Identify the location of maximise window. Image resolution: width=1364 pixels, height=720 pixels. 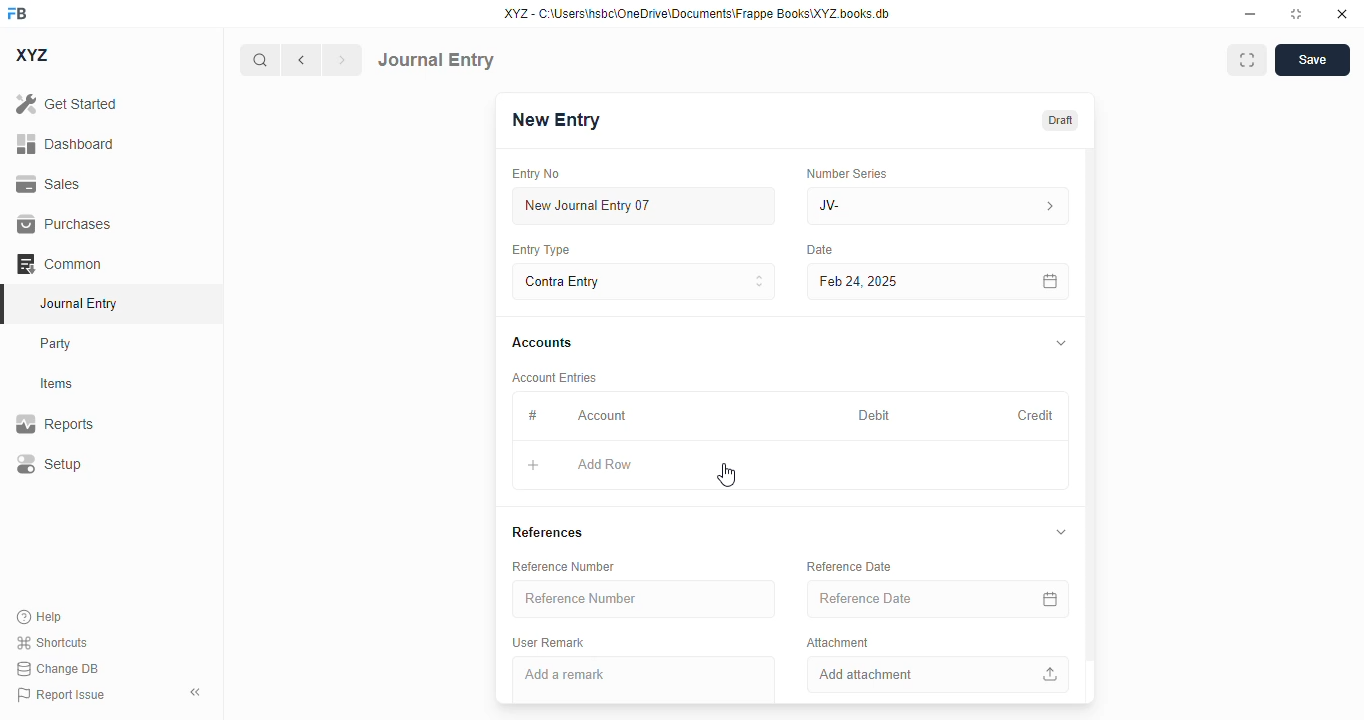
(1247, 60).